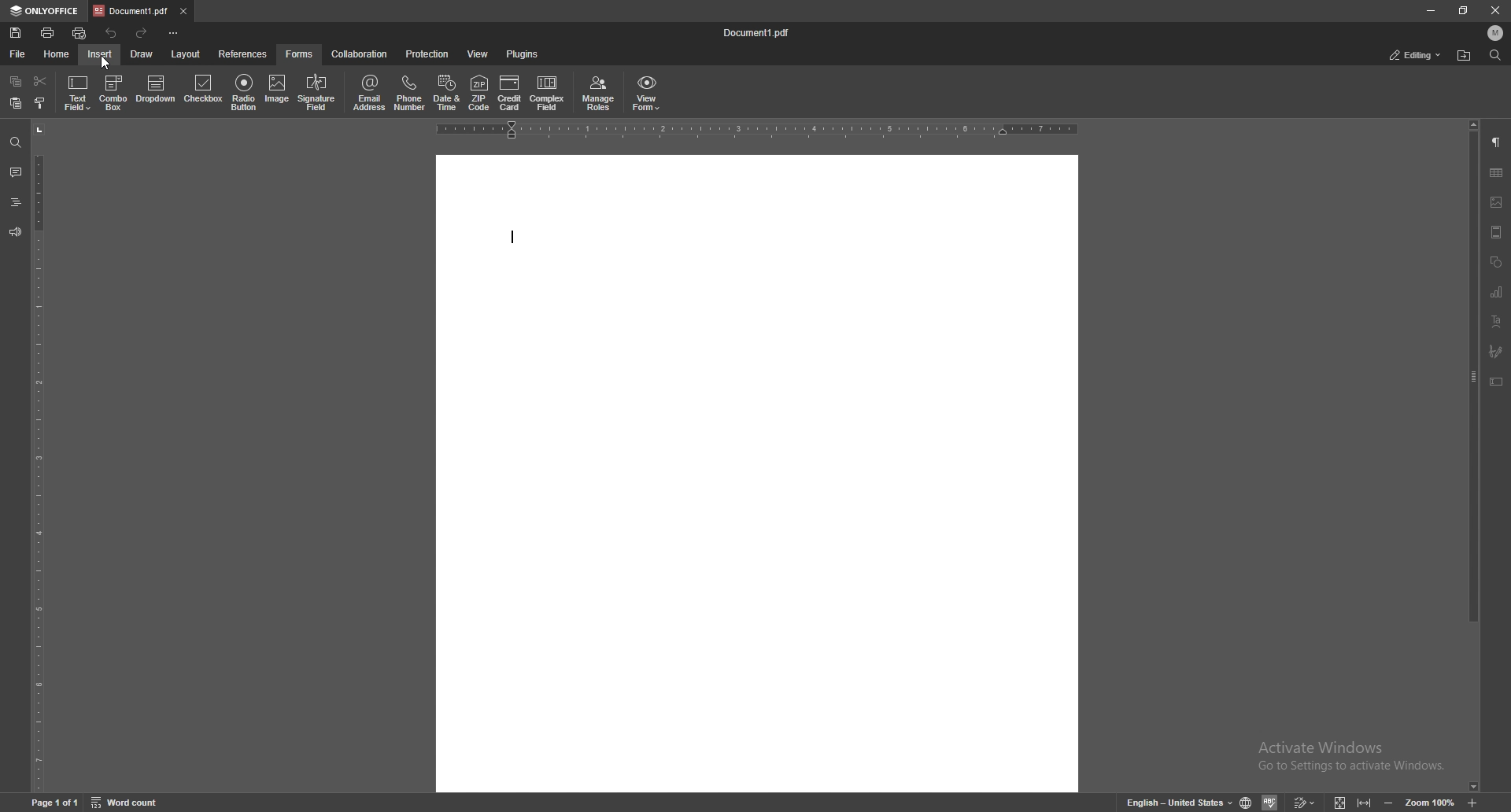 This screenshot has width=1511, height=812. Describe the element at coordinates (599, 94) in the screenshot. I see `manage roles` at that location.